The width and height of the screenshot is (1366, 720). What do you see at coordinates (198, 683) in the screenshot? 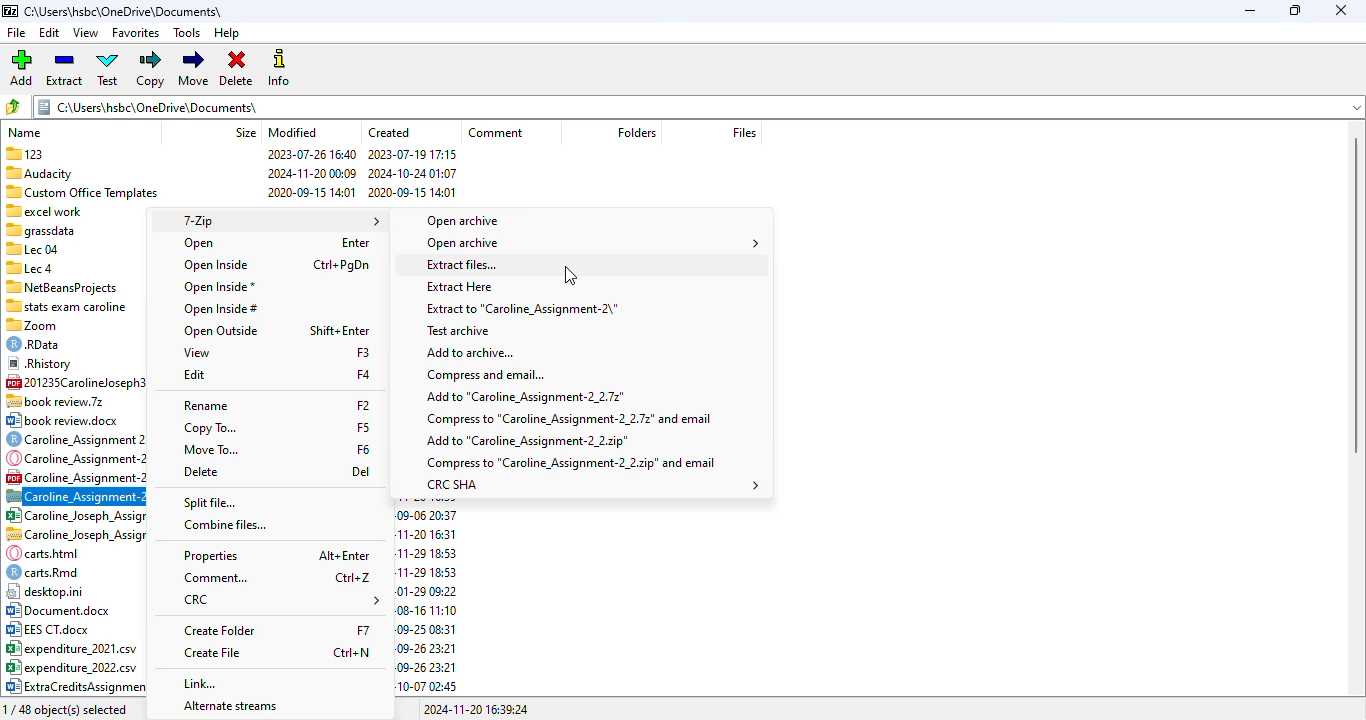
I see `link` at bounding box center [198, 683].